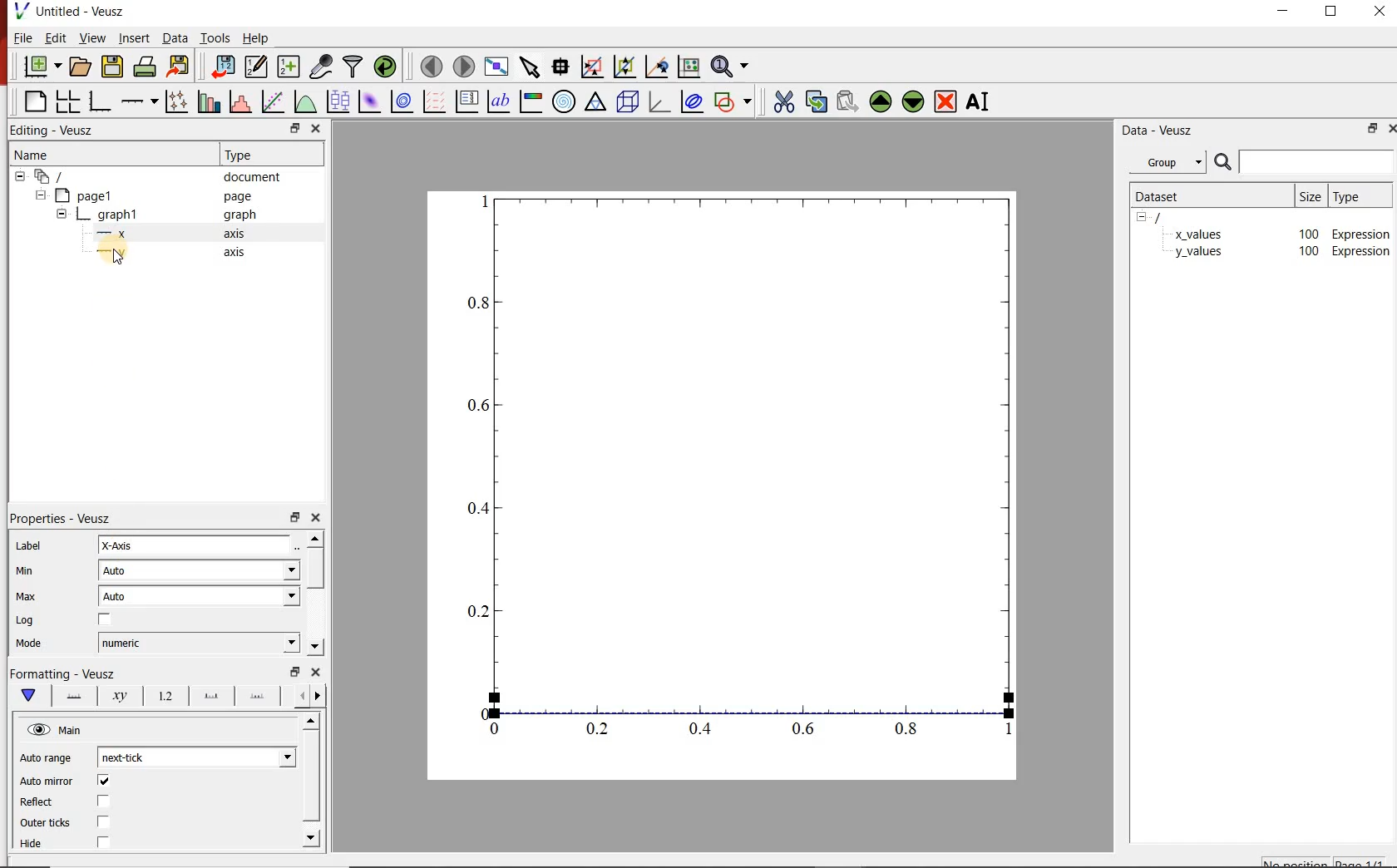  Describe the element at coordinates (309, 722) in the screenshot. I see `move up` at that location.